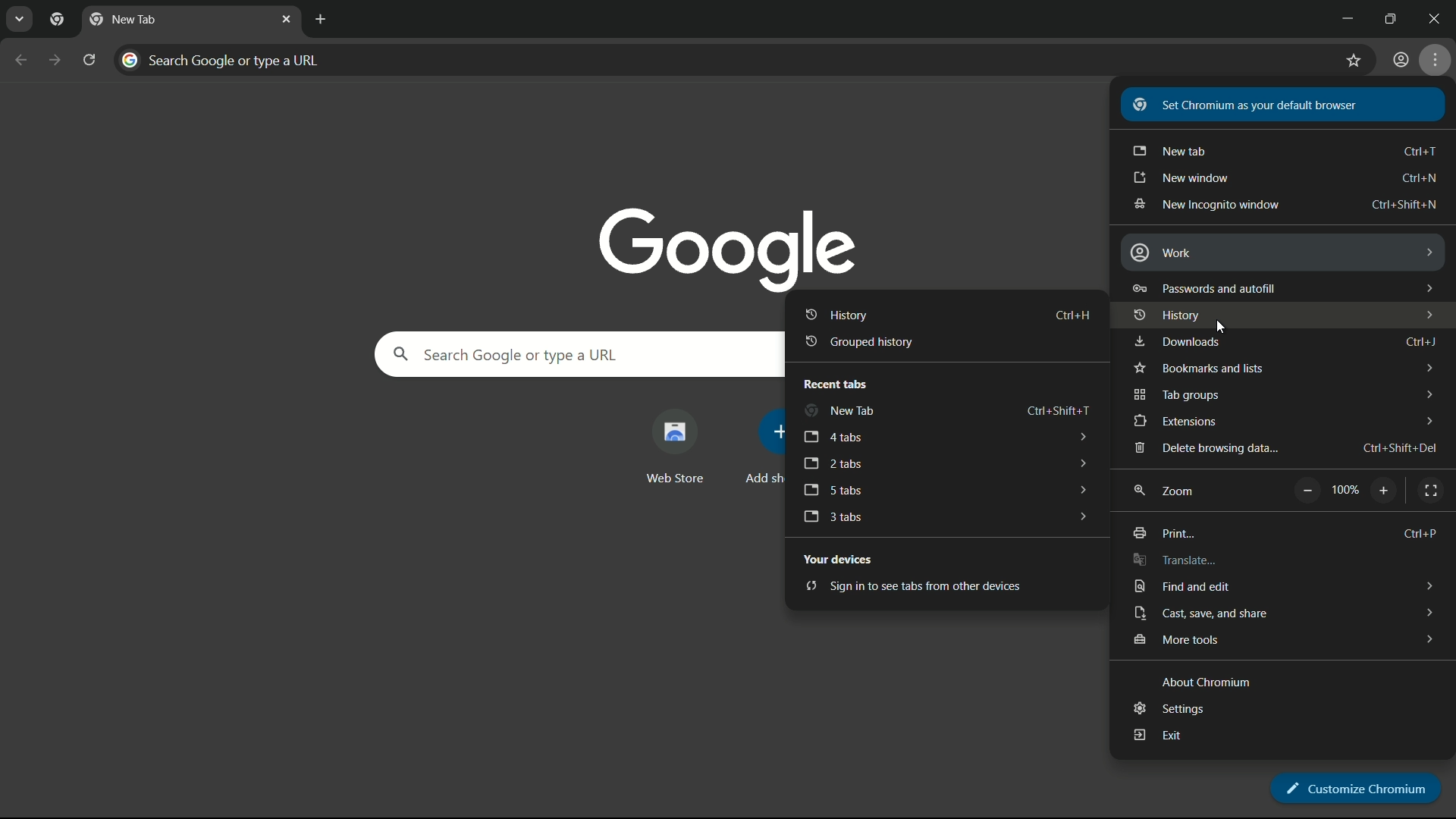 The image size is (1456, 819). What do you see at coordinates (1398, 449) in the screenshot?
I see `shortcut key` at bounding box center [1398, 449].